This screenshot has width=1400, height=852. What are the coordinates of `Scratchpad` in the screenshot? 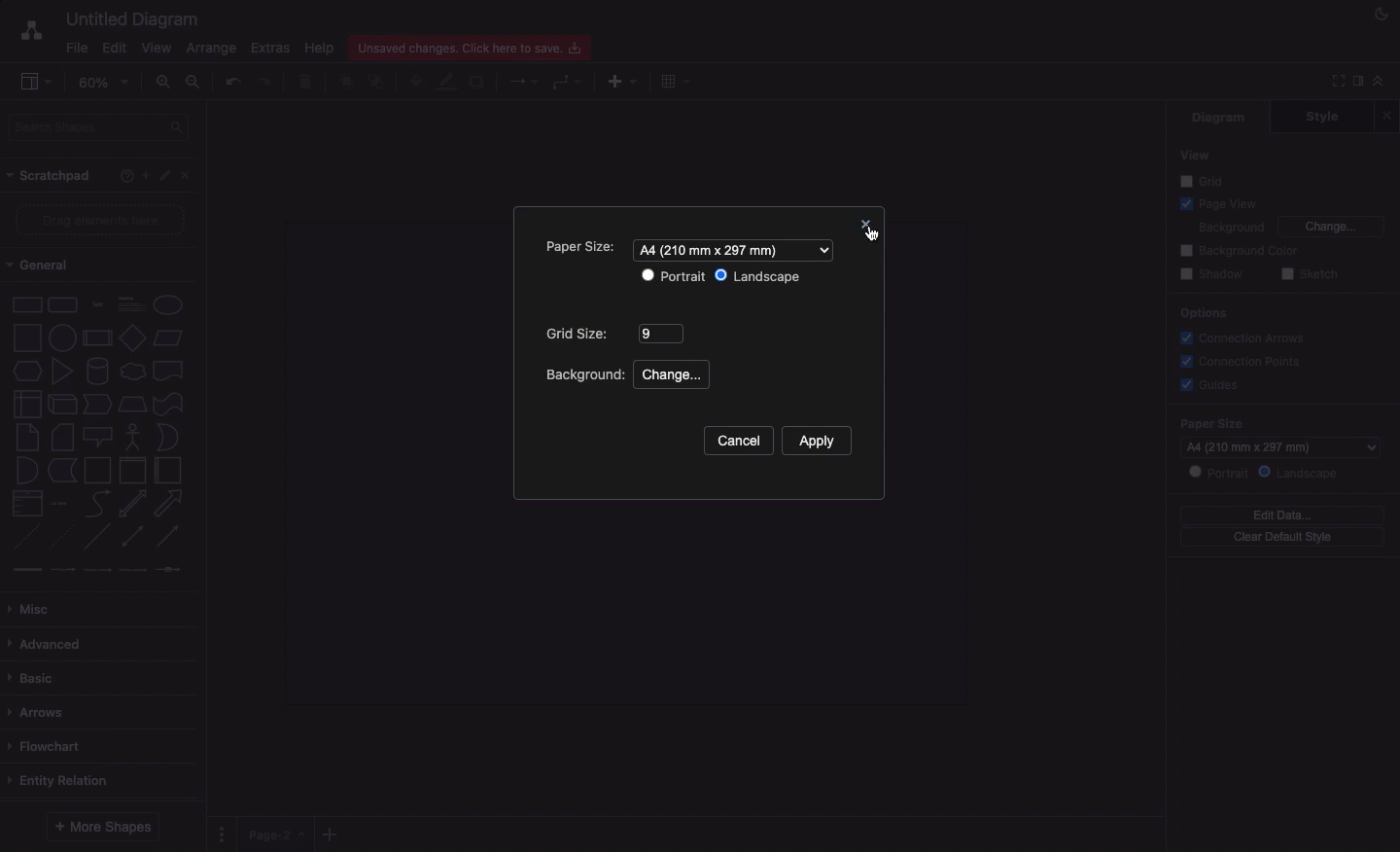 It's located at (51, 175).